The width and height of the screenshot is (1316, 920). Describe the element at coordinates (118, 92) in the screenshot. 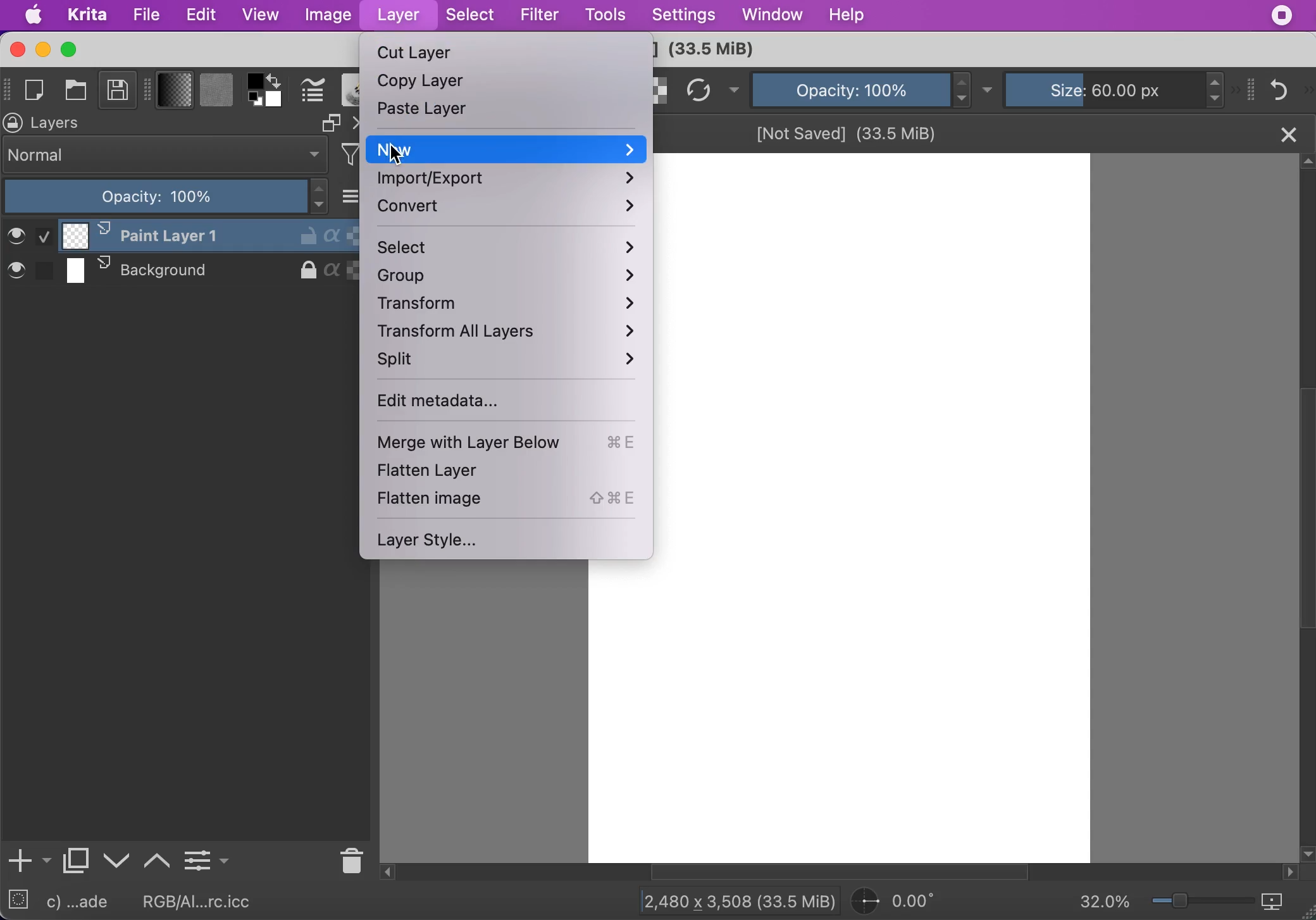

I see `save` at that location.